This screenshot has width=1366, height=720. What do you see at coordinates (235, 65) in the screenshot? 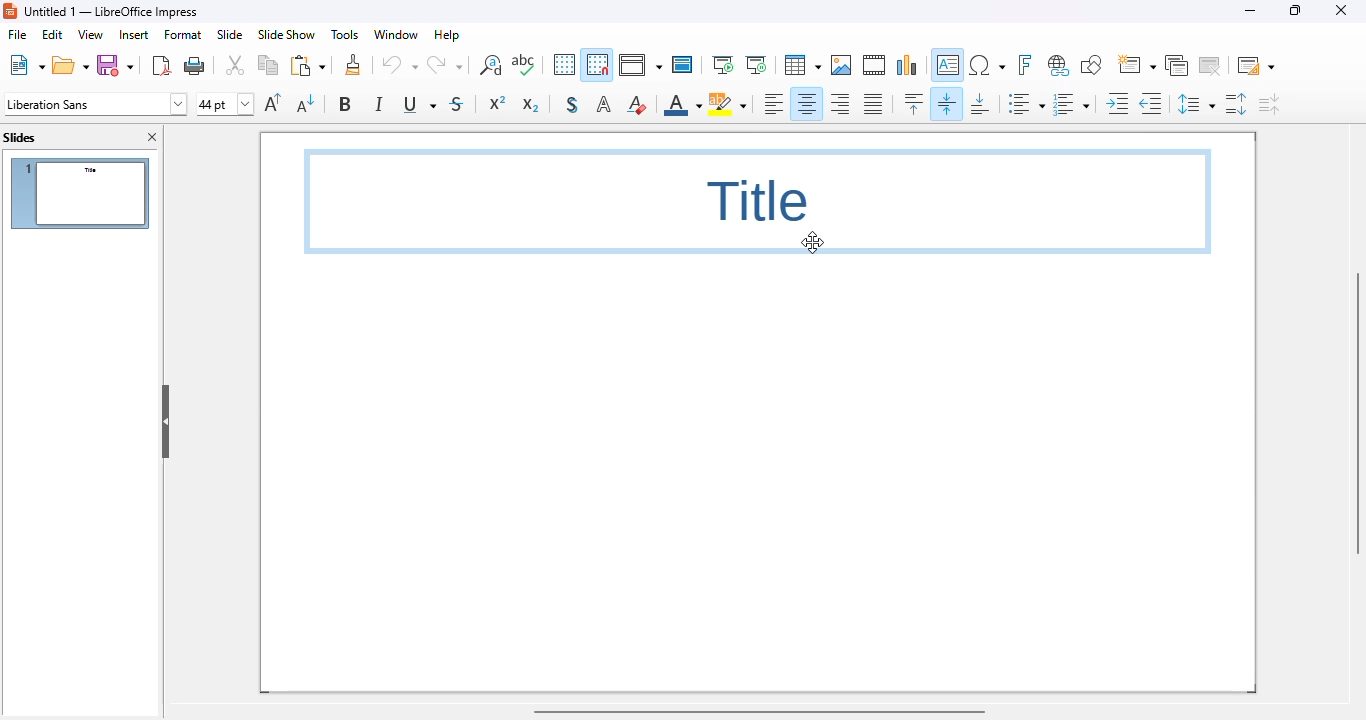
I see `cut` at bounding box center [235, 65].